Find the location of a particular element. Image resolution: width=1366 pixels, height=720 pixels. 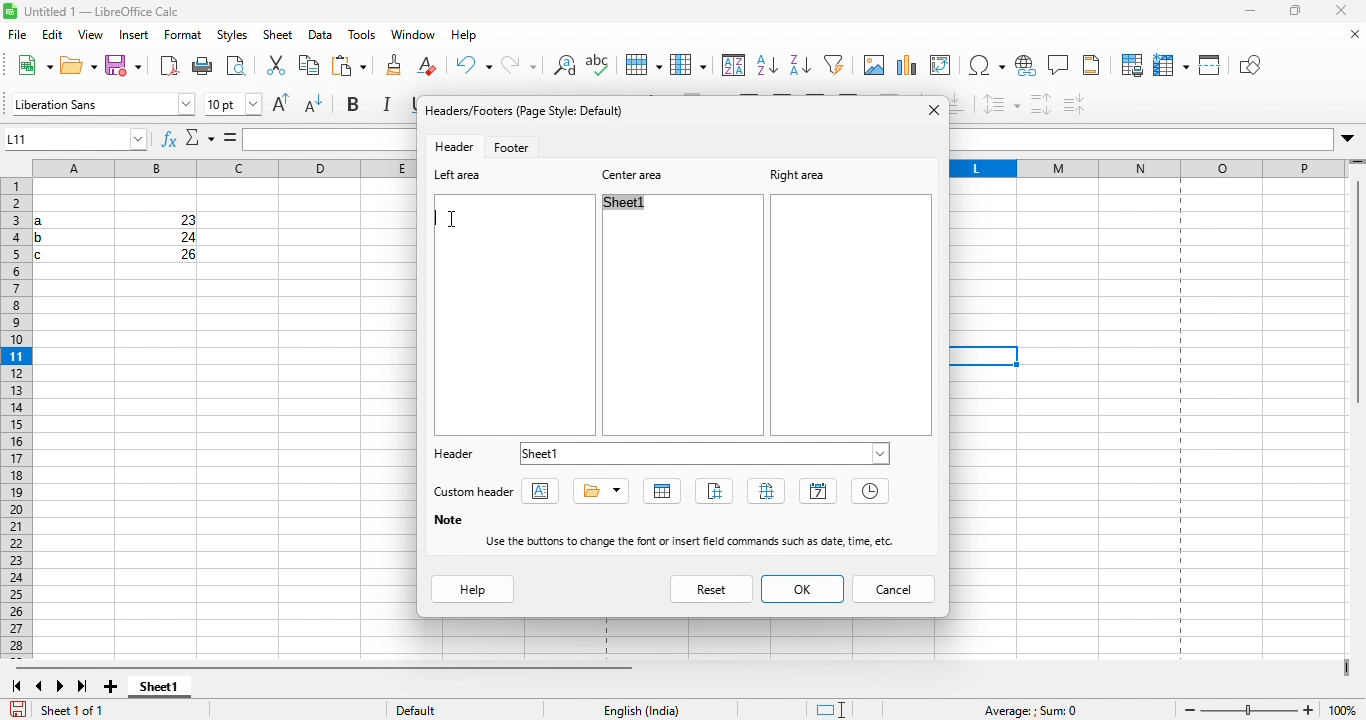

format is located at coordinates (184, 39).